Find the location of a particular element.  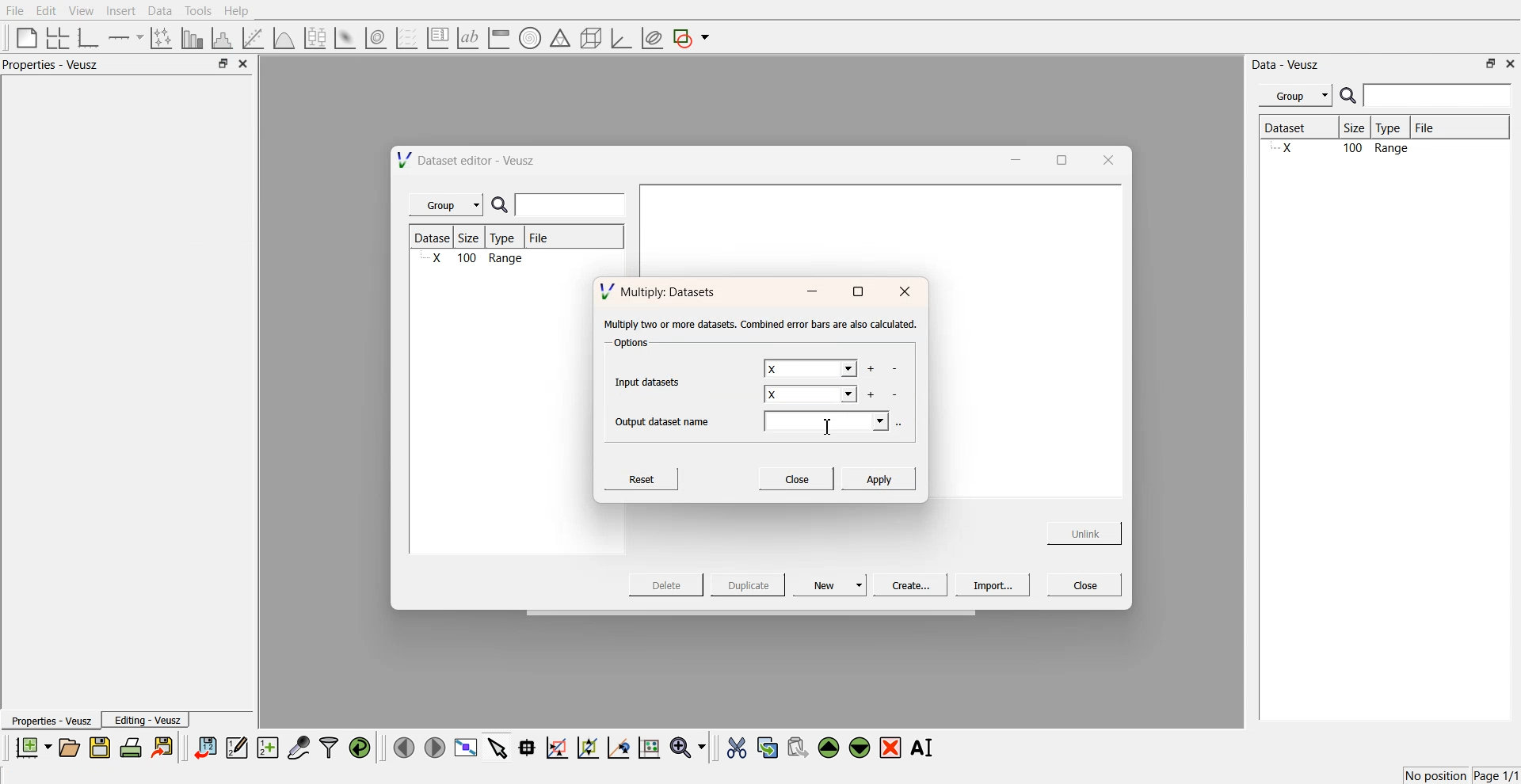

Properties - Veusz is located at coordinates (55, 65).